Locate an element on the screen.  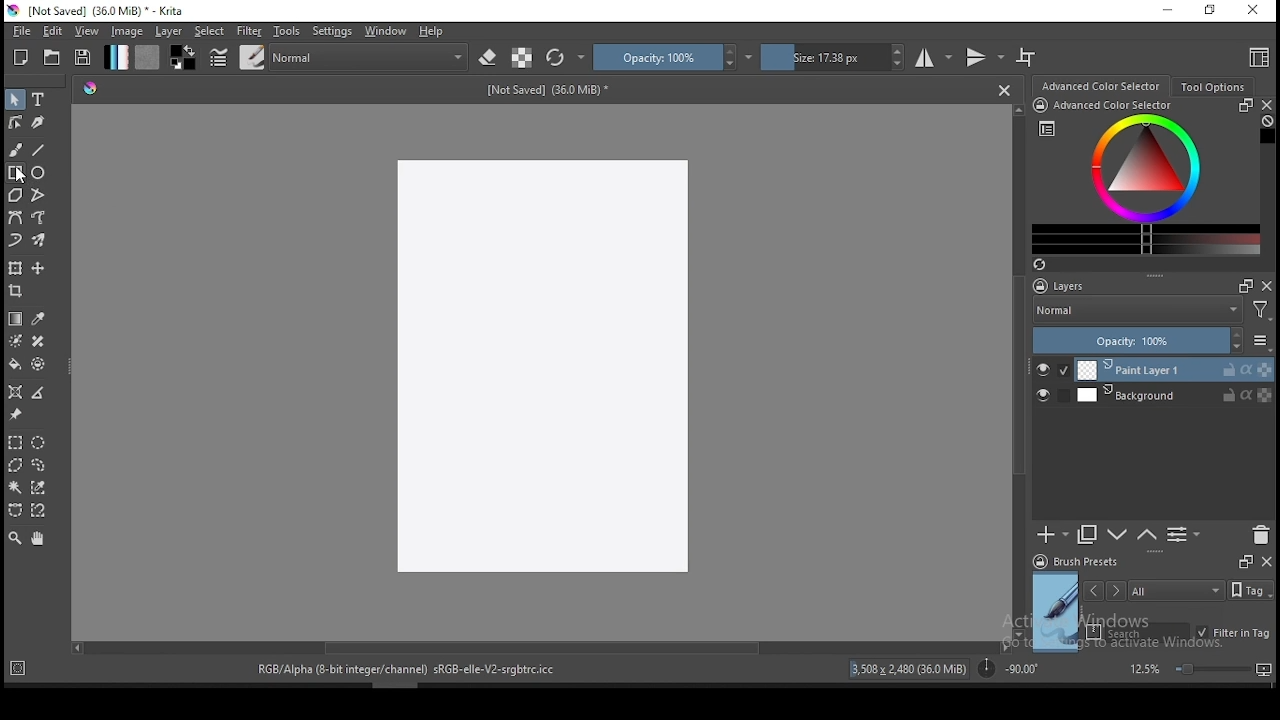
close docker is located at coordinates (1267, 285).